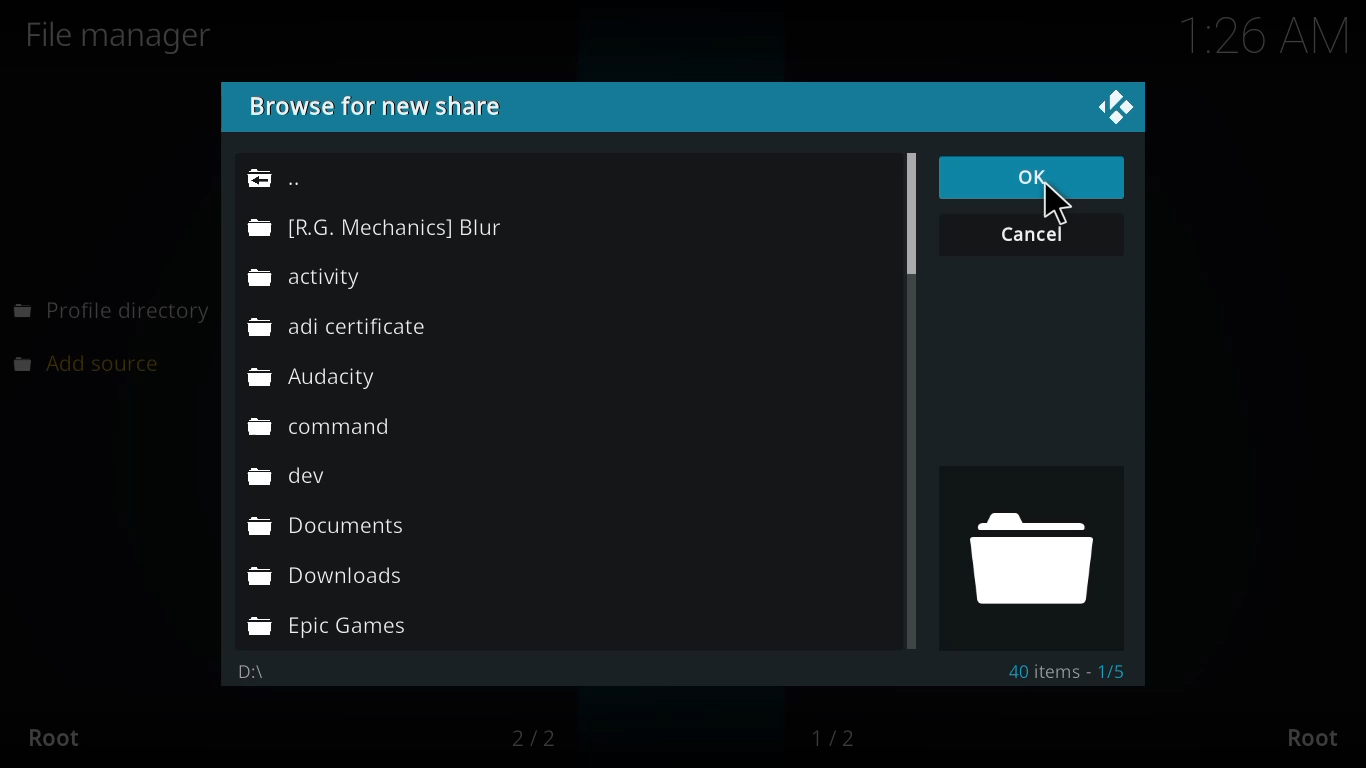 The height and width of the screenshot is (768, 1366). What do you see at coordinates (298, 477) in the screenshot?
I see `file` at bounding box center [298, 477].